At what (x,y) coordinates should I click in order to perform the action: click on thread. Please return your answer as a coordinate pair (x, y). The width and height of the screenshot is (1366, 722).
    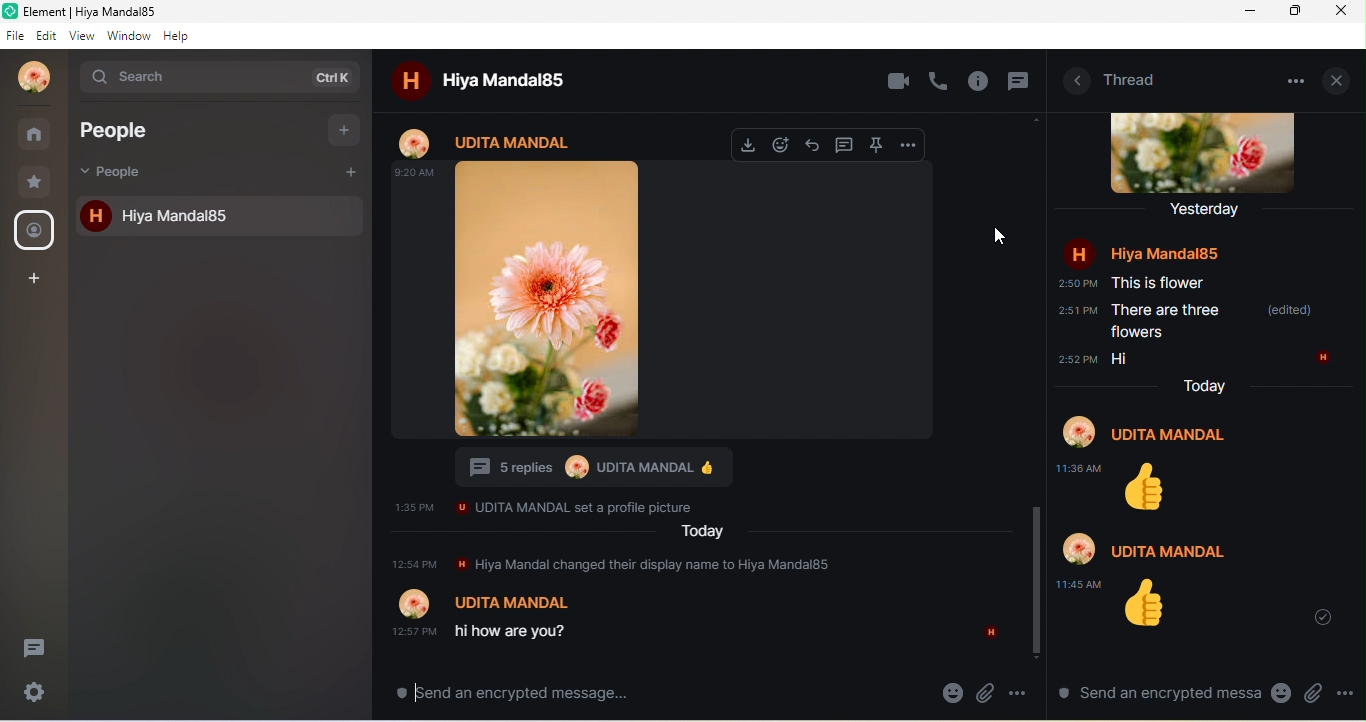
    Looking at the image, I should click on (35, 648).